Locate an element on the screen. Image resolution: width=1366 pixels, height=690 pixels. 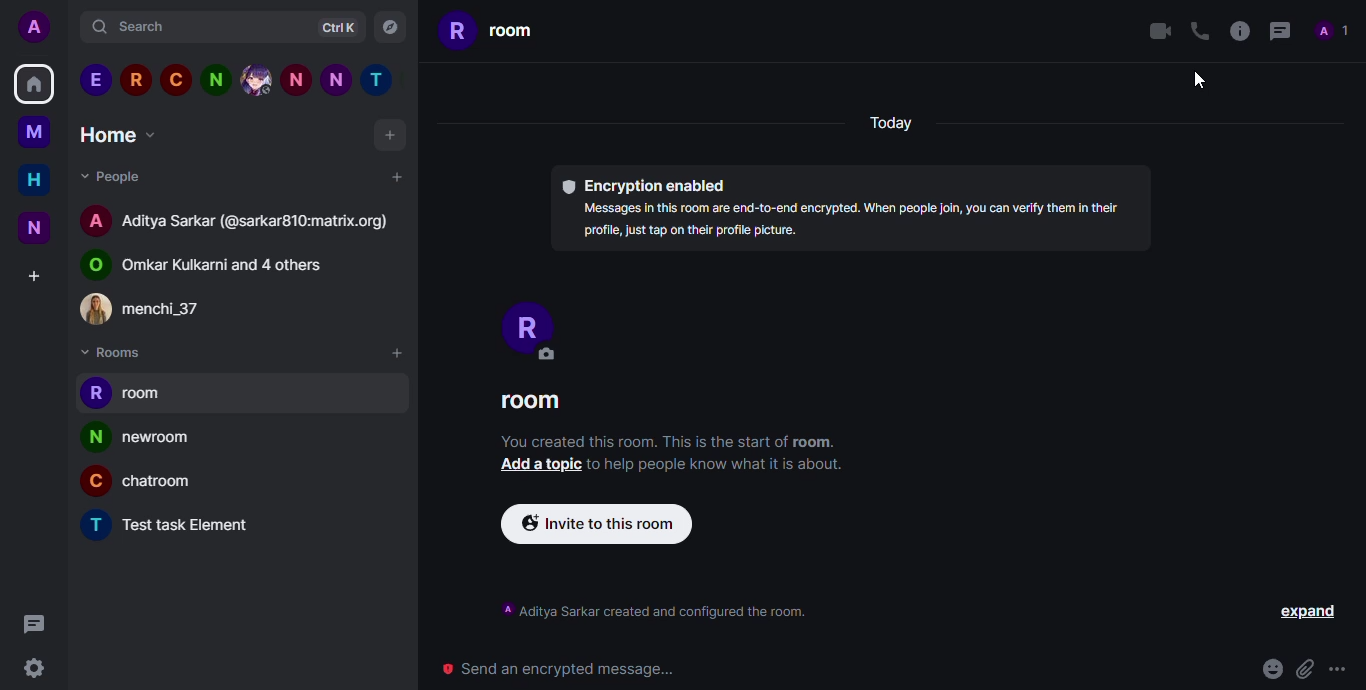
group is located at coordinates (220, 268).